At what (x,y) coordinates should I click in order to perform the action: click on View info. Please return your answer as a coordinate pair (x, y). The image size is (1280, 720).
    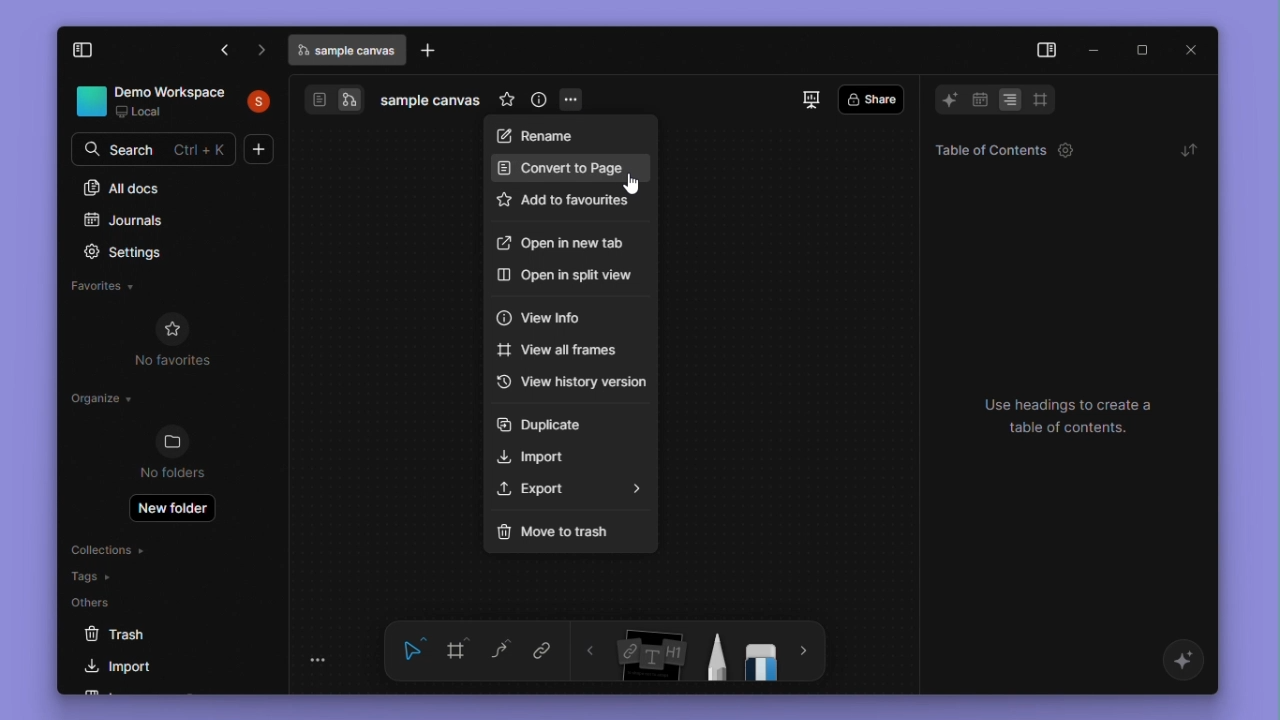
    Looking at the image, I should click on (542, 317).